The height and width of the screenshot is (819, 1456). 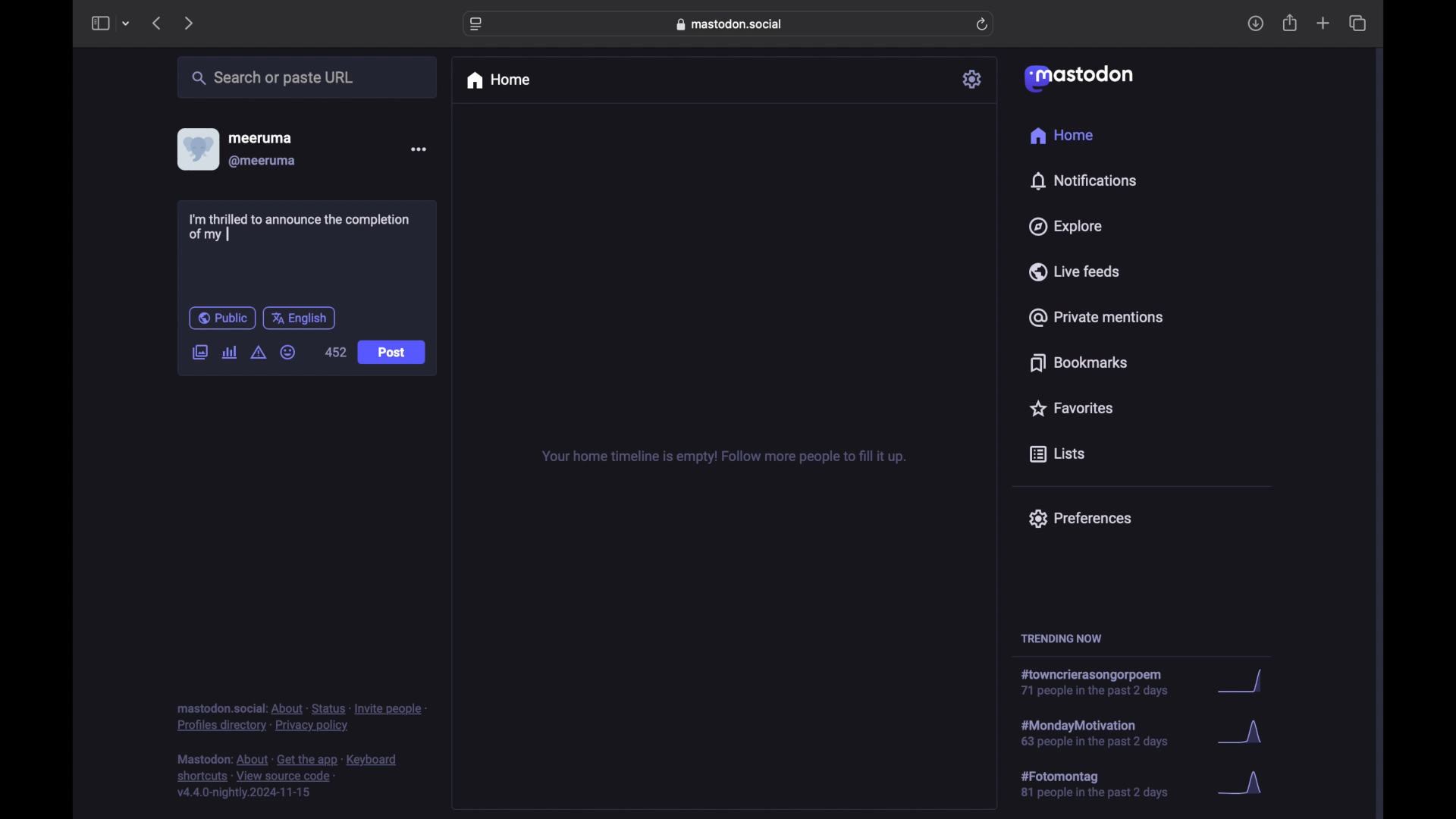 What do you see at coordinates (1245, 784) in the screenshot?
I see `graph` at bounding box center [1245, 784].